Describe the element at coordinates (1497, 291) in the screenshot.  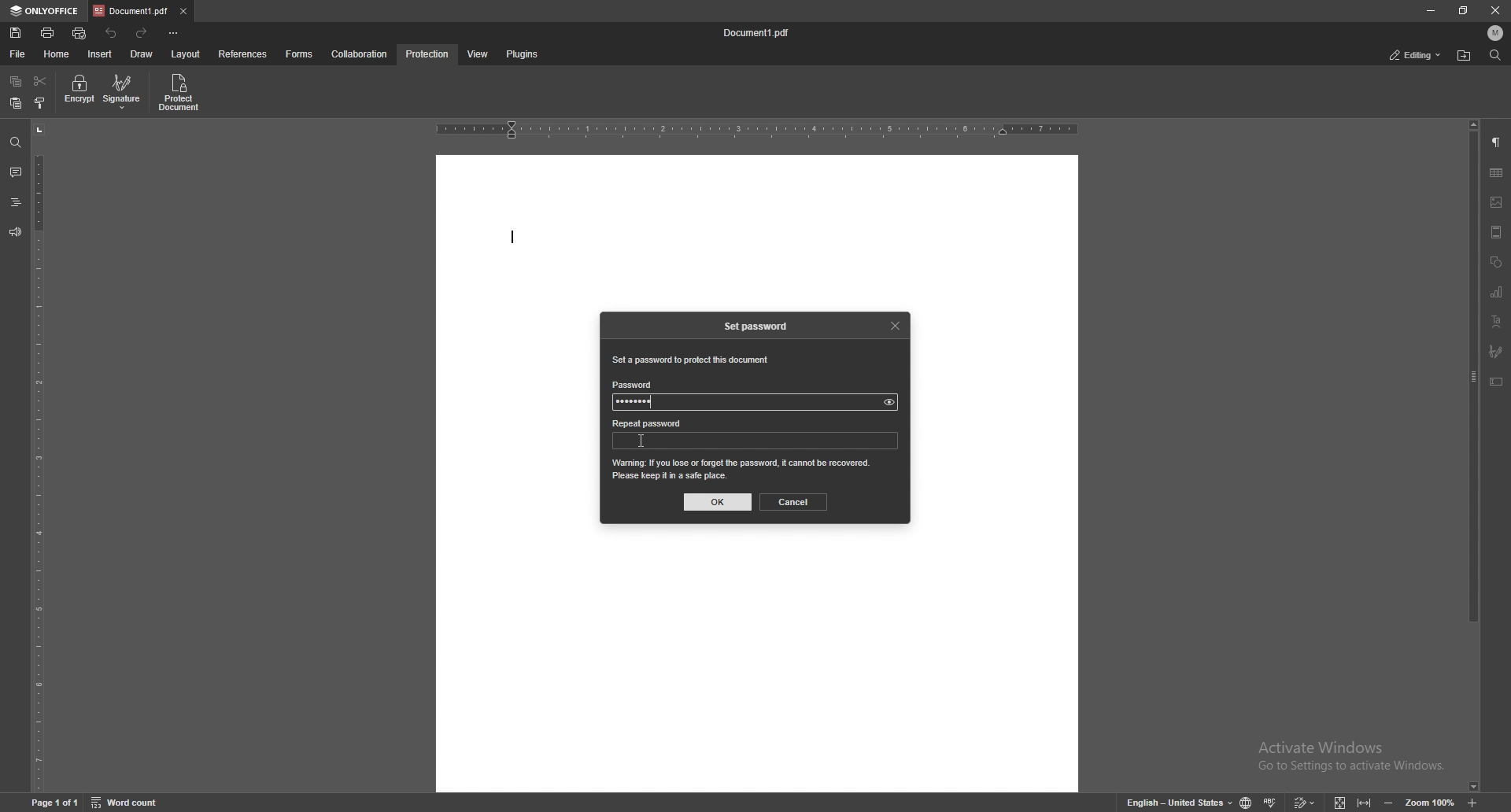
I see `chart` at that location.